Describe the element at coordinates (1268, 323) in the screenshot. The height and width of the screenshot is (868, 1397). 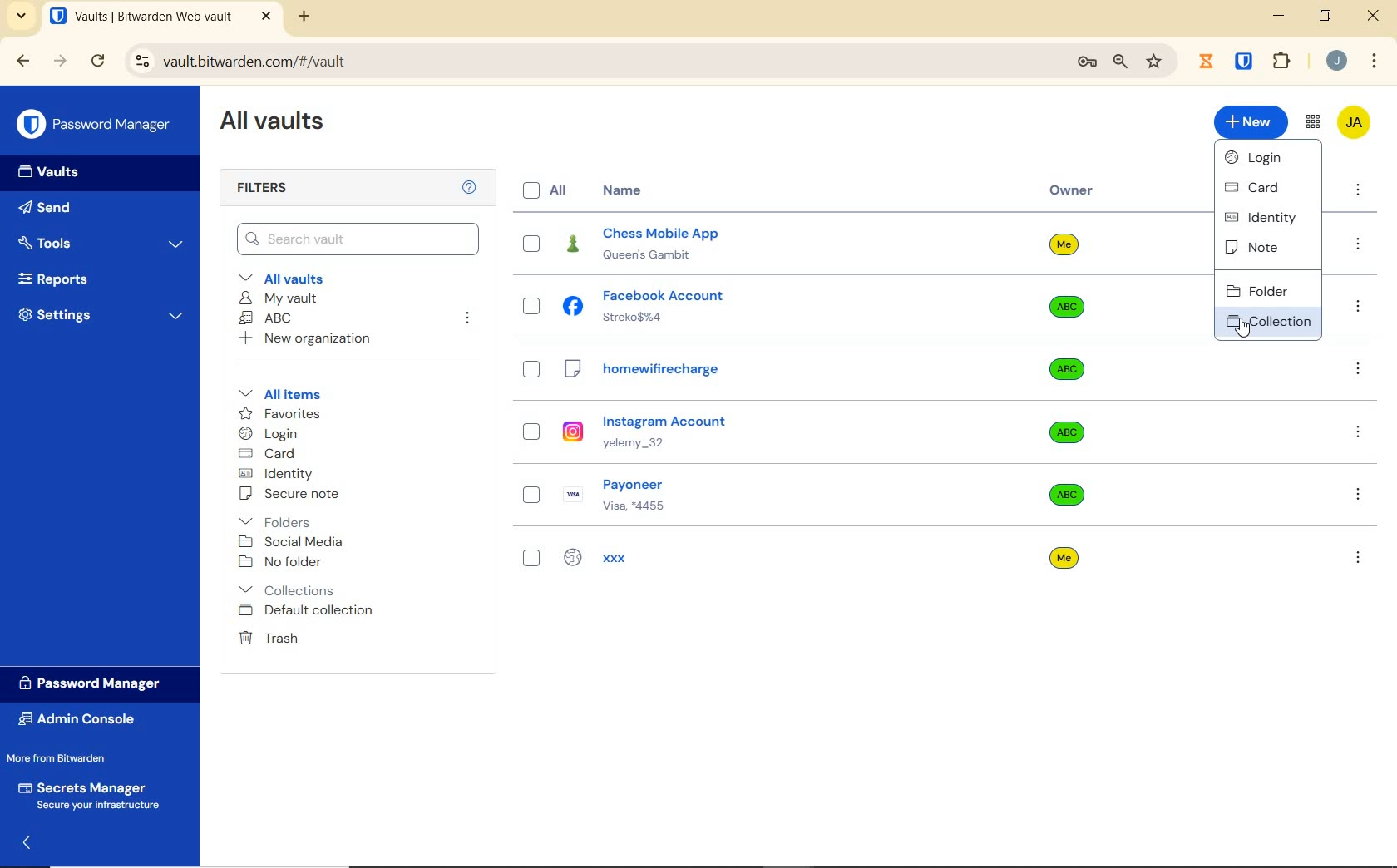
I see `collection` at that location.